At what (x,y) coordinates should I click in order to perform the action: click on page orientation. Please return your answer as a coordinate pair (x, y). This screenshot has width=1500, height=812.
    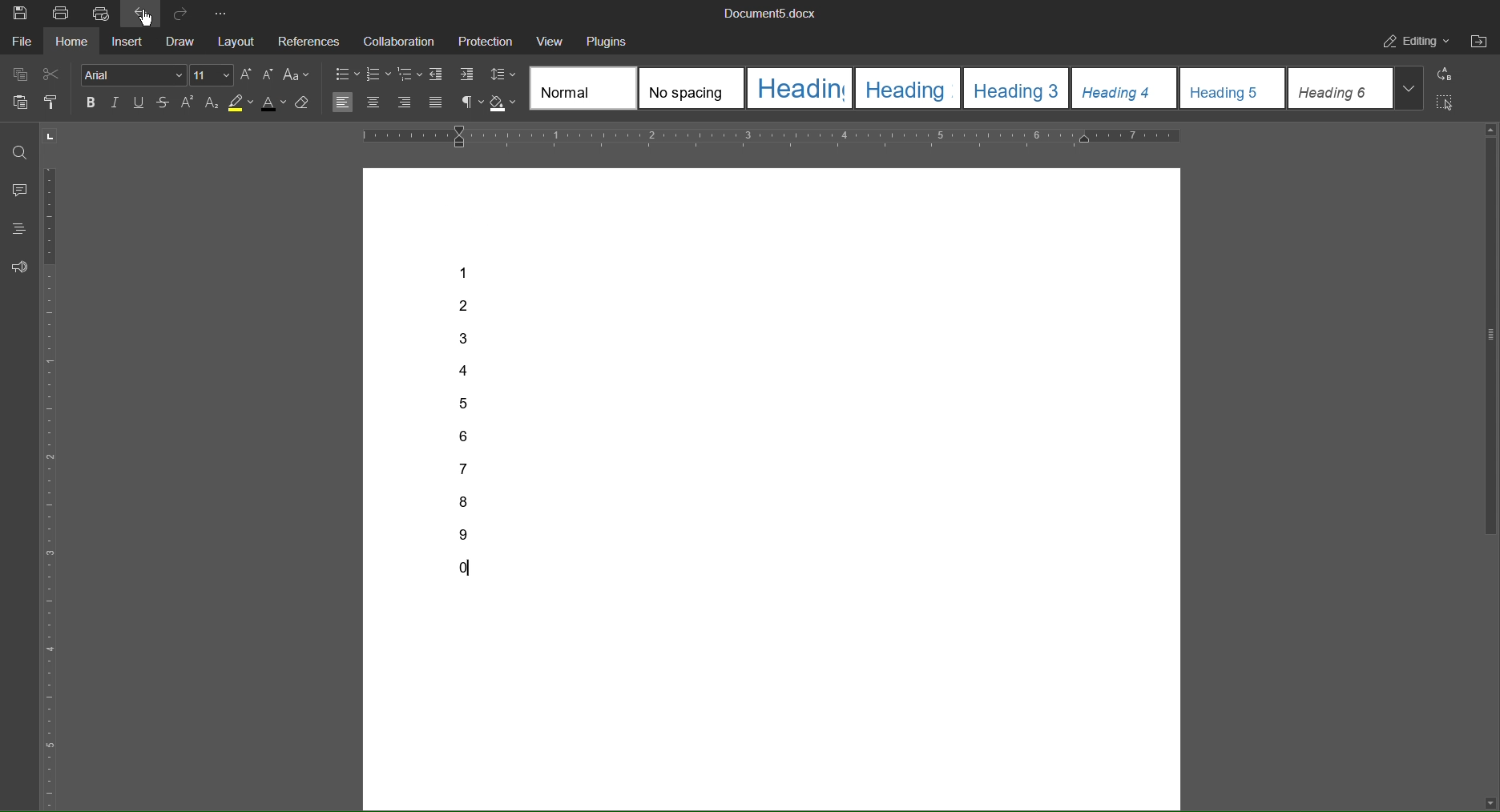
    Looking at the image, I should click on (49, 135).